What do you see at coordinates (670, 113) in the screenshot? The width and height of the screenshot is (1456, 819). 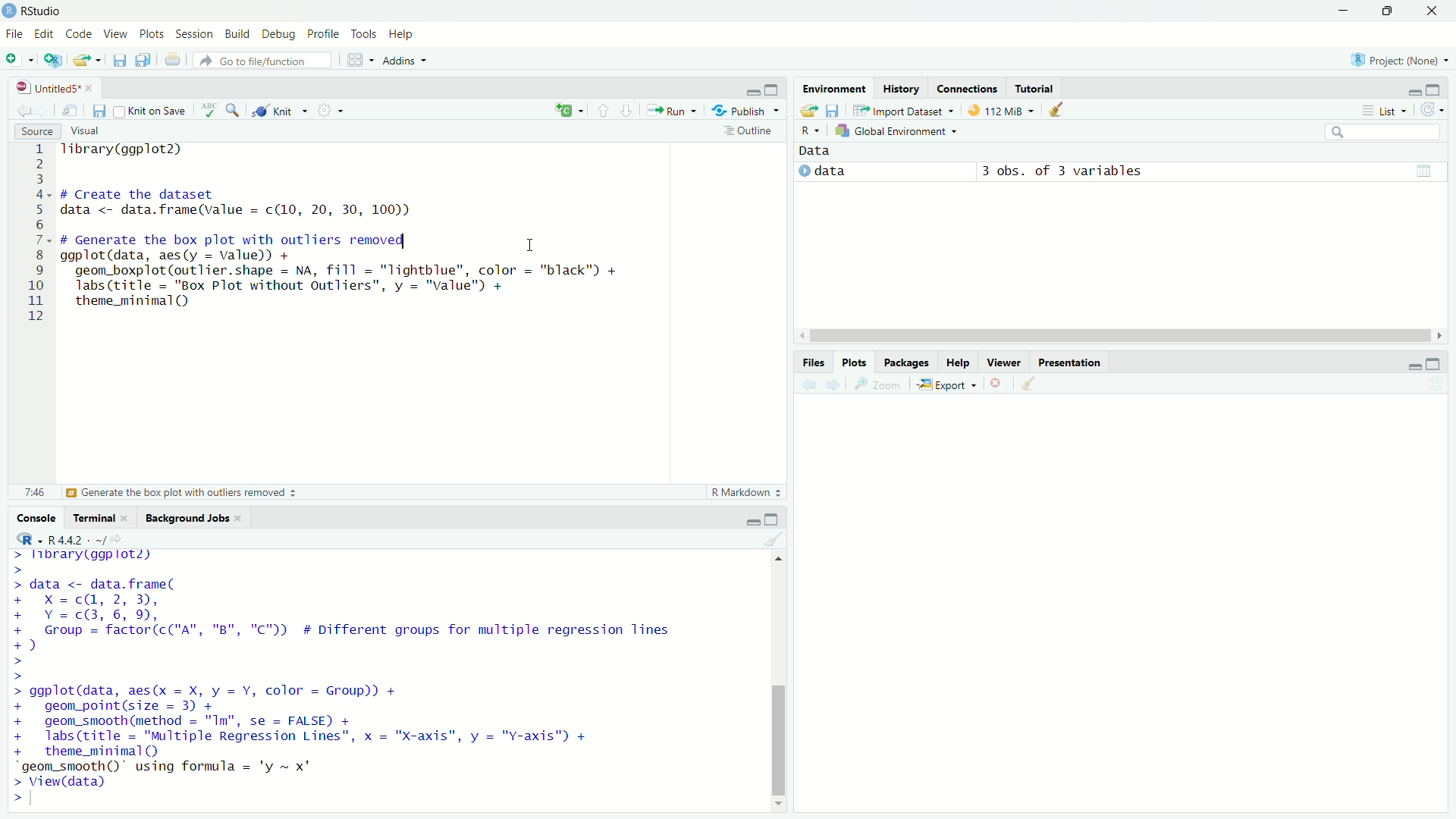 I see `** Run` at bounding box center [670, 113].